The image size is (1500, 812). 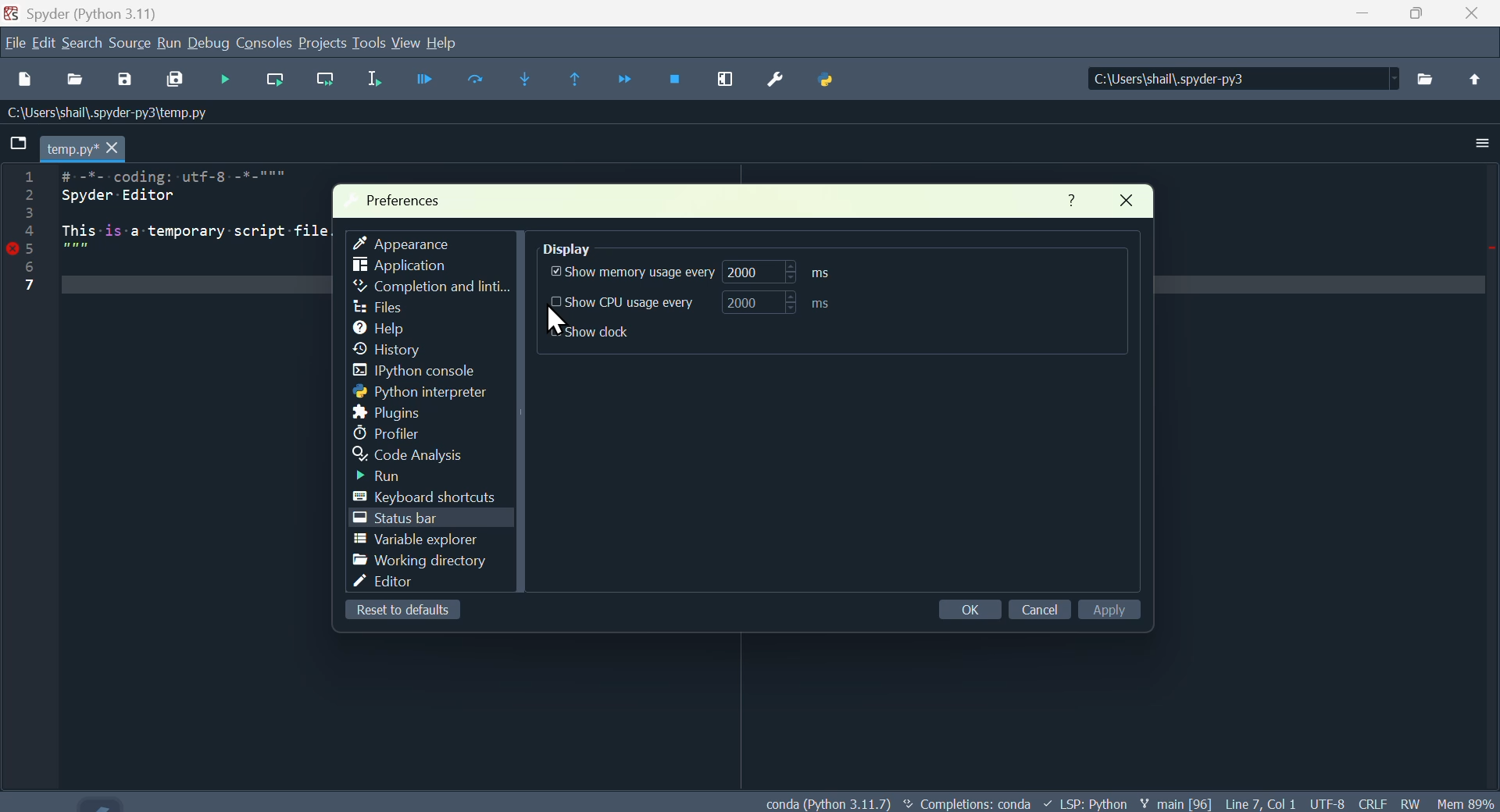 What do you see at coordinates (526, 77) in the screenshot?
I see `Step into function` at bounding box center [526, 77].